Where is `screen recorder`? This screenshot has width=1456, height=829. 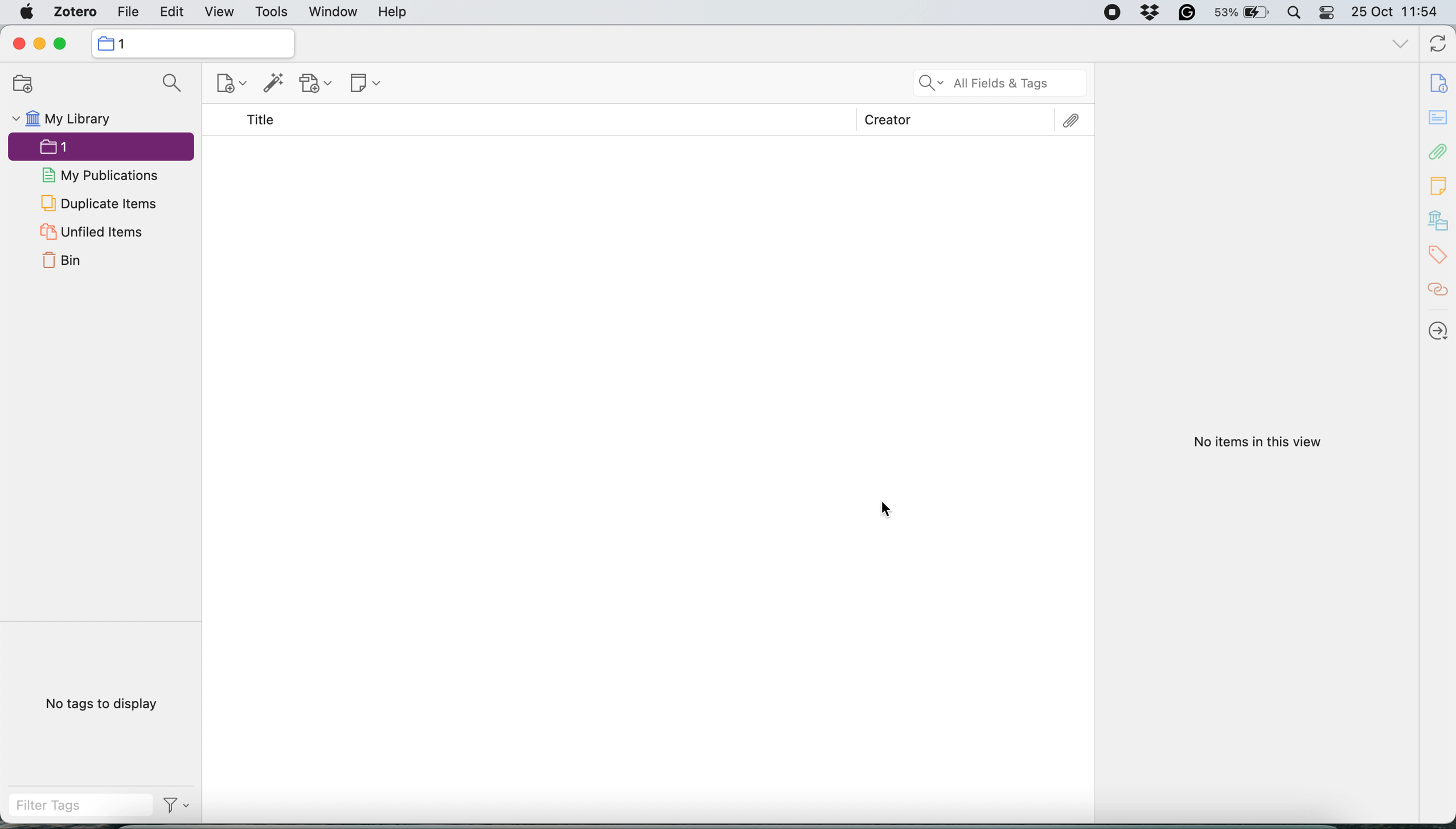
screen recorder is located at coordinates (1110, 13).